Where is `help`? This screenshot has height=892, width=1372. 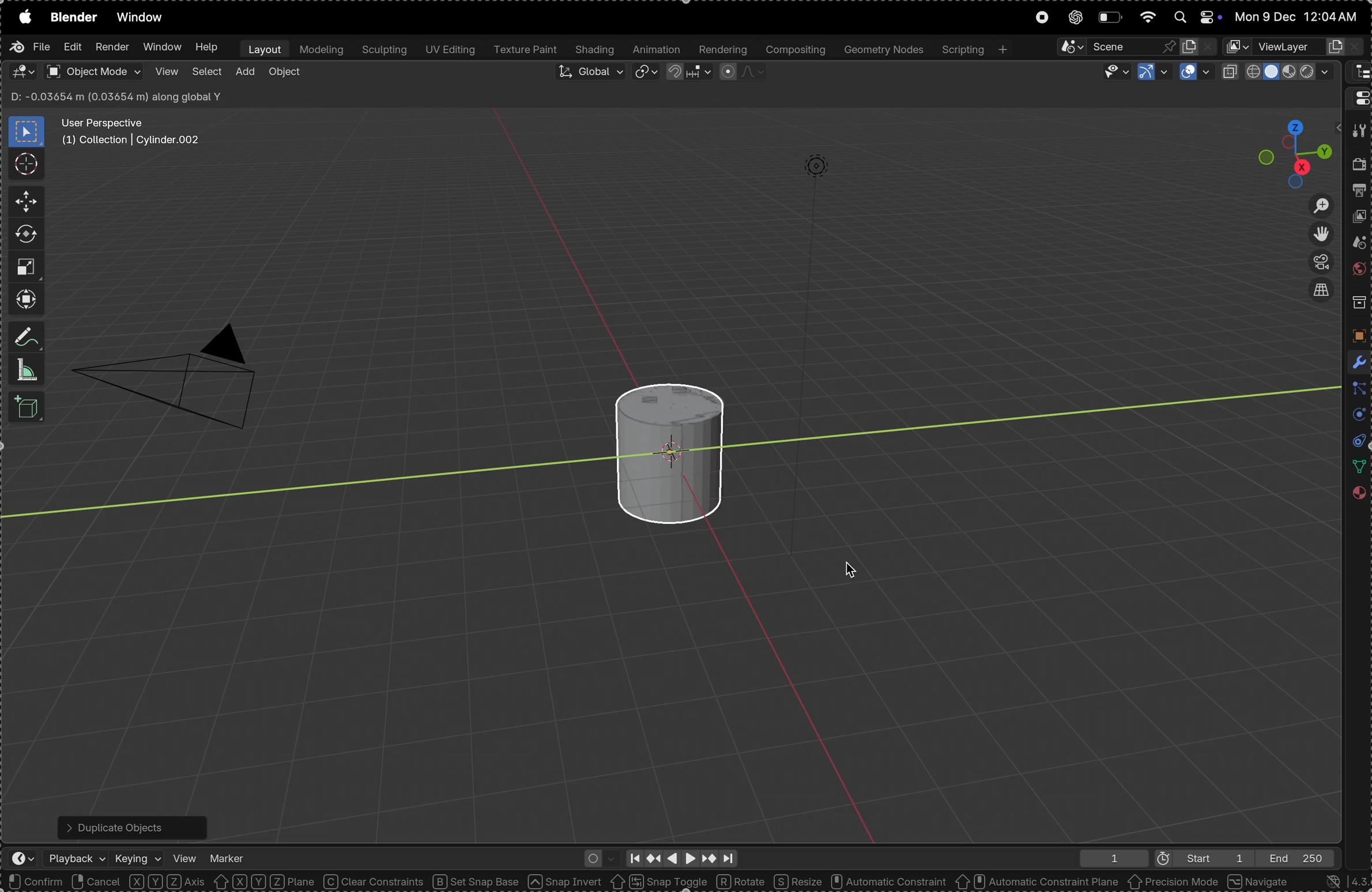
help is located at coordinates (207, 47).